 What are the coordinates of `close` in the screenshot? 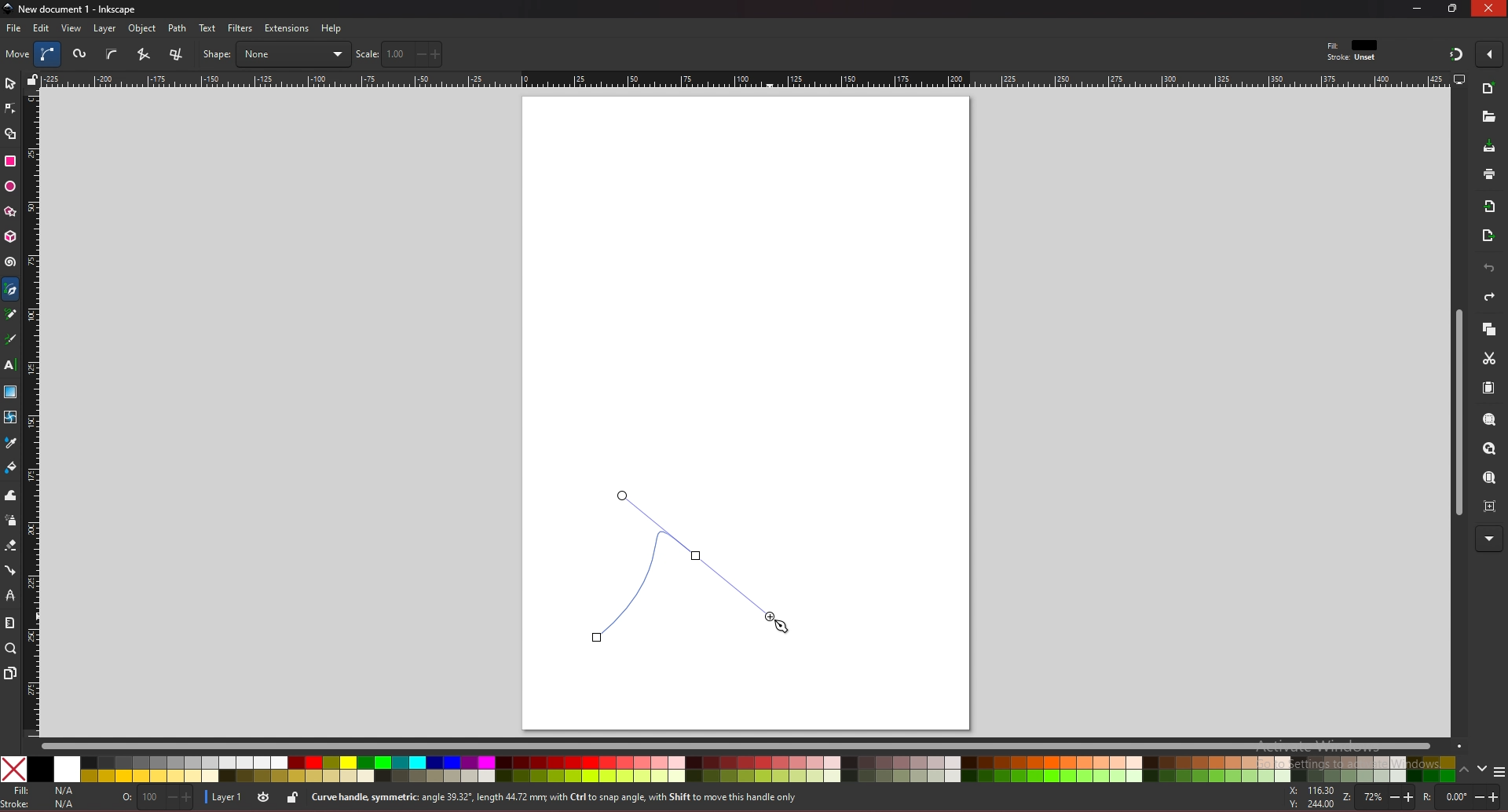 It's located at (1489, 8).